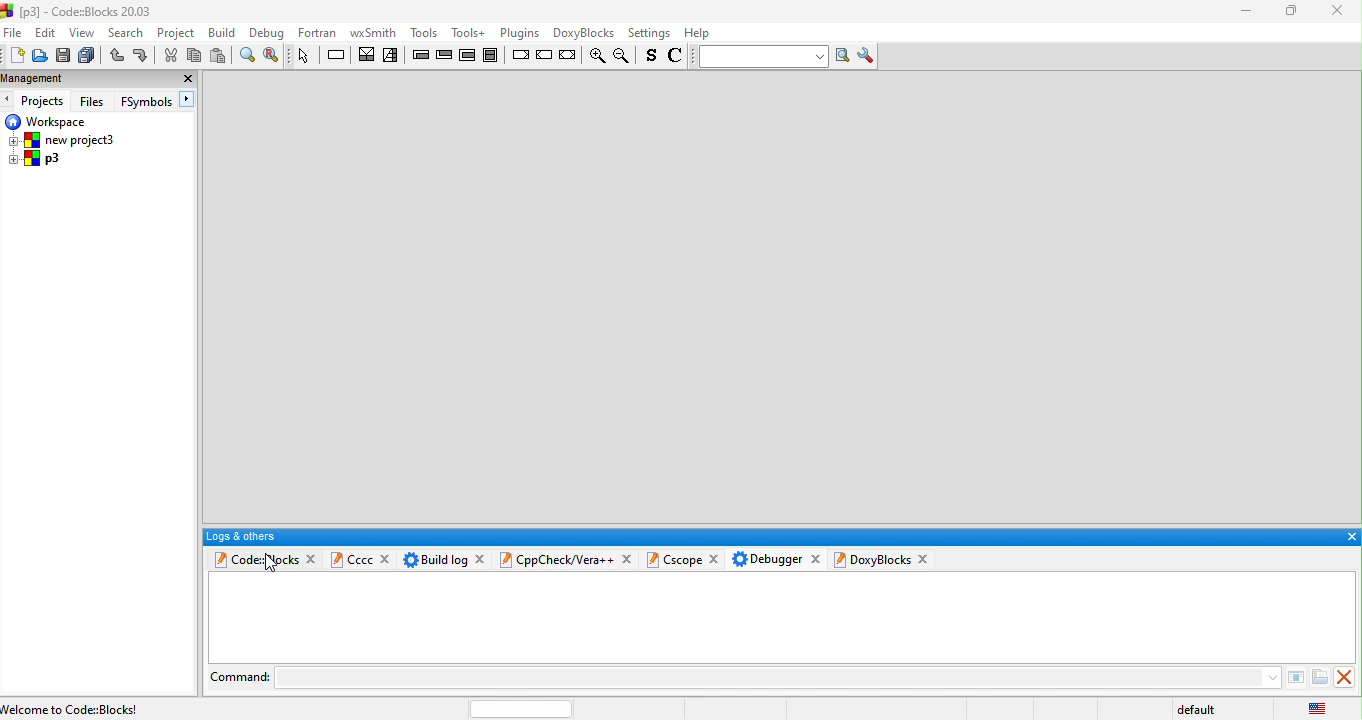  What do you see at coordinates (482, 558) in the screenshot?
I see `close` at bounding box center [482, 558].